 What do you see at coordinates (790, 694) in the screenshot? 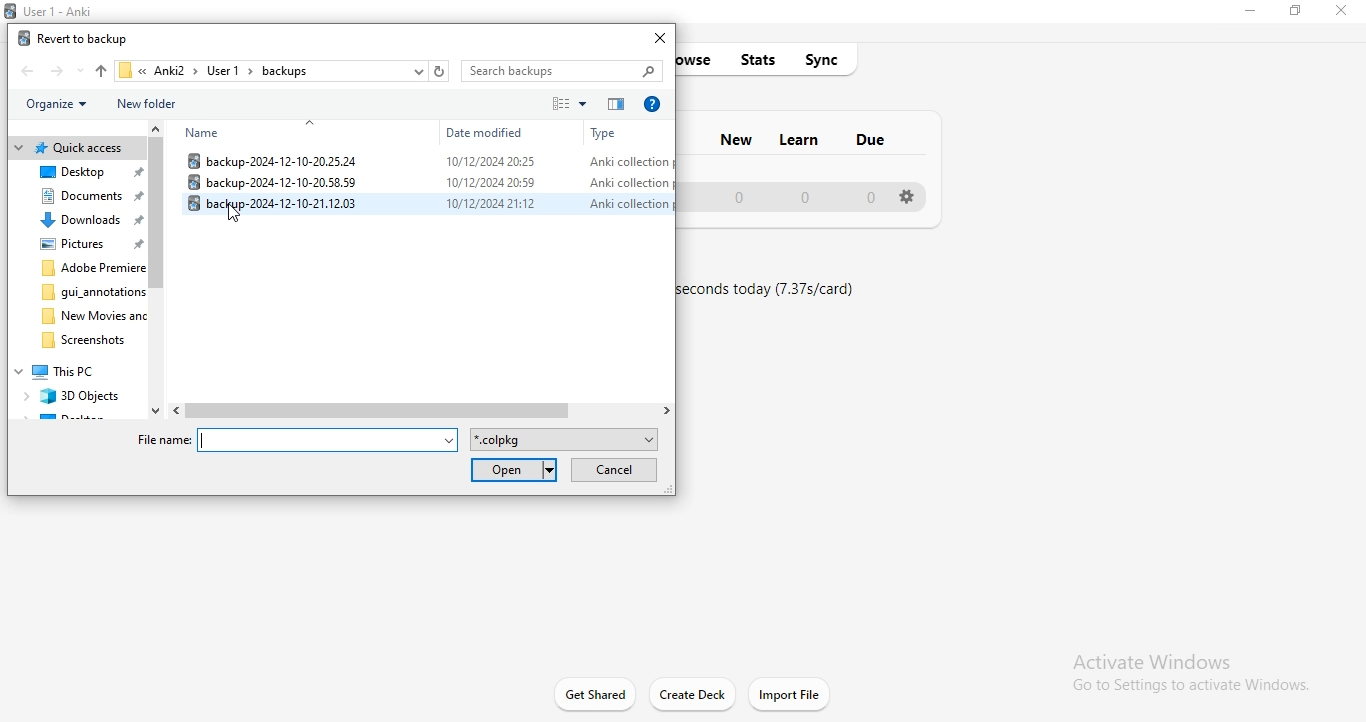
I see `import file` at bounding box center [790, 694].